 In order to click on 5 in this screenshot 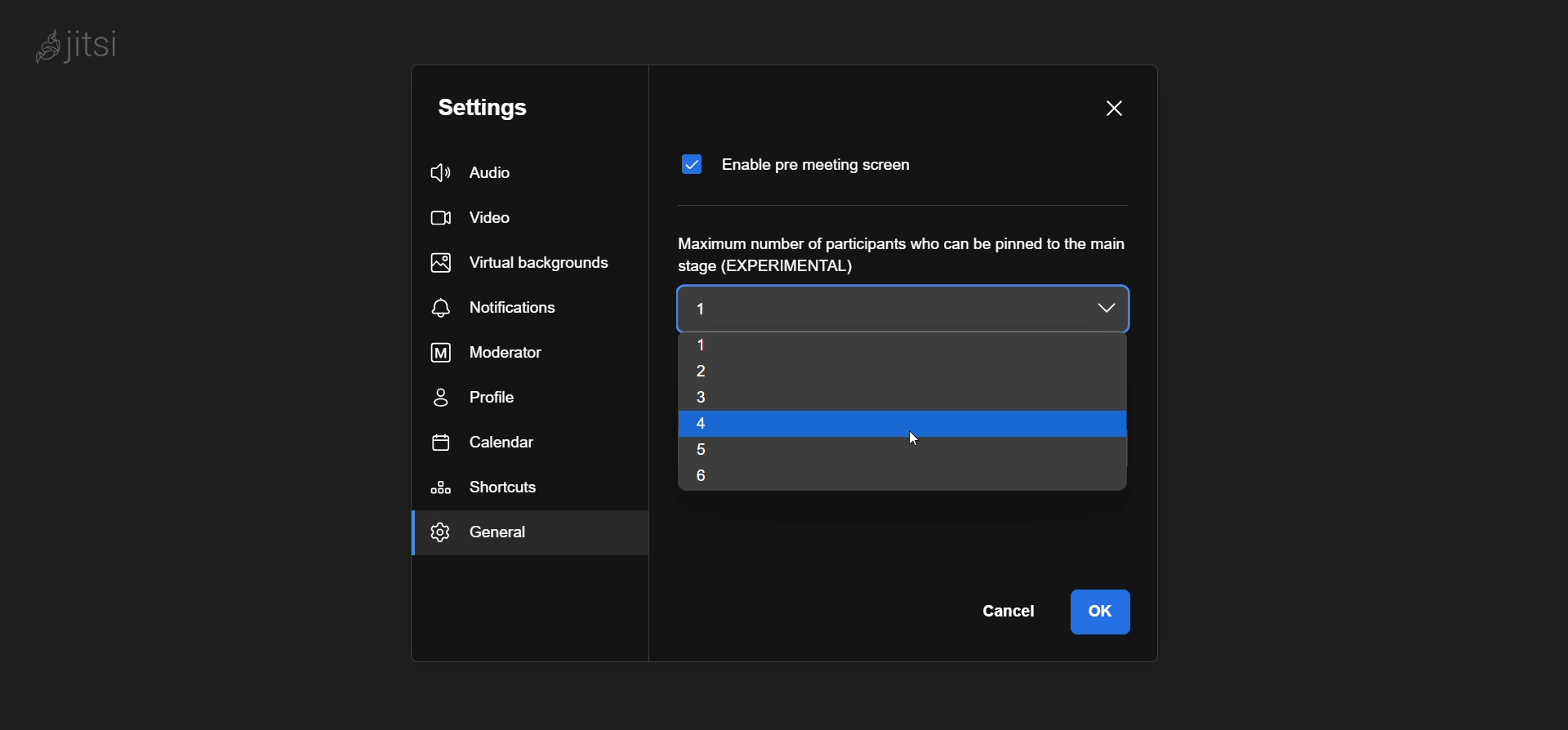, I will do `click(720, 452)`.